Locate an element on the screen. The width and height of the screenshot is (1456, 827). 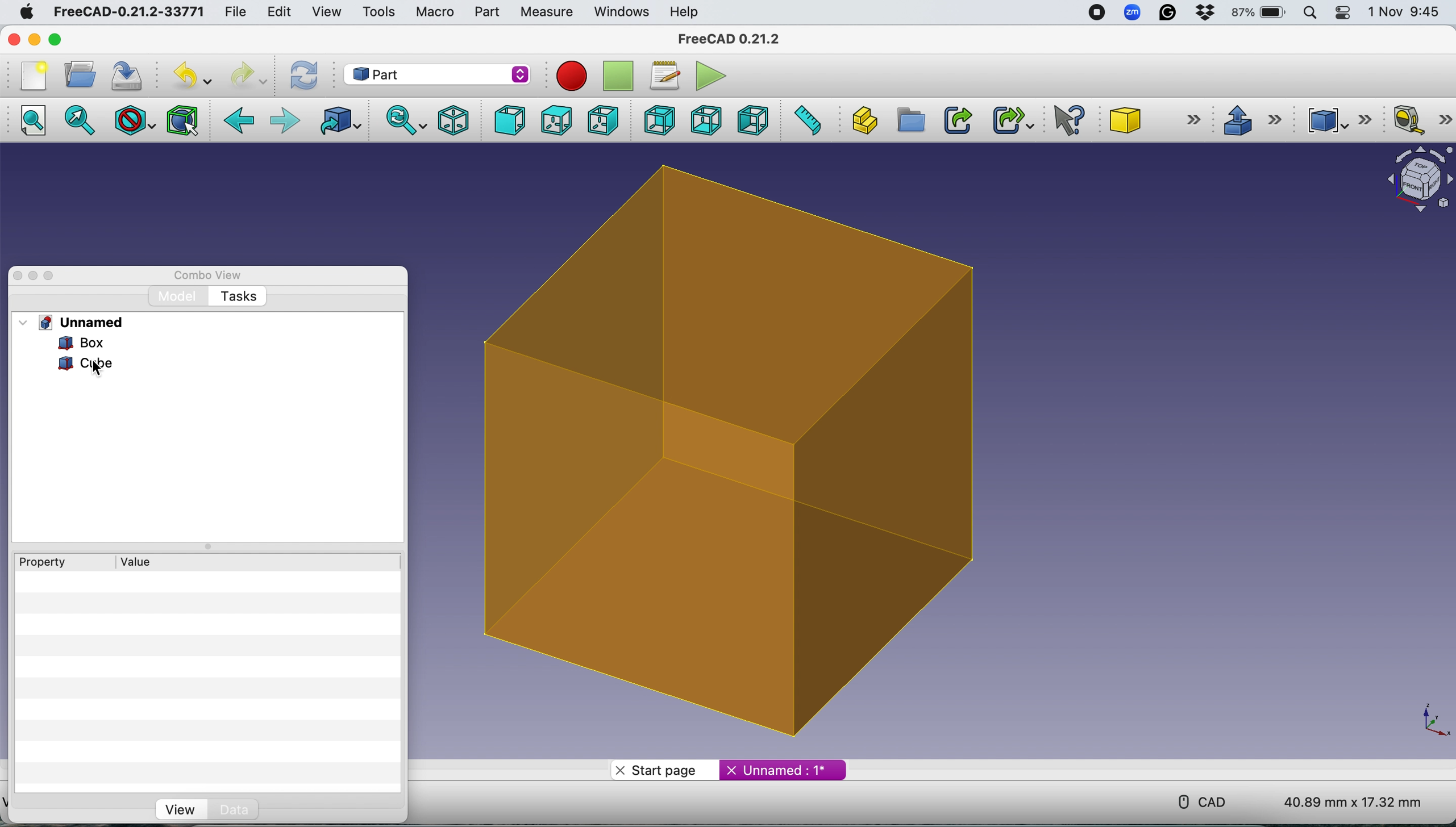
Minimise is located at coordinates (34, 276).